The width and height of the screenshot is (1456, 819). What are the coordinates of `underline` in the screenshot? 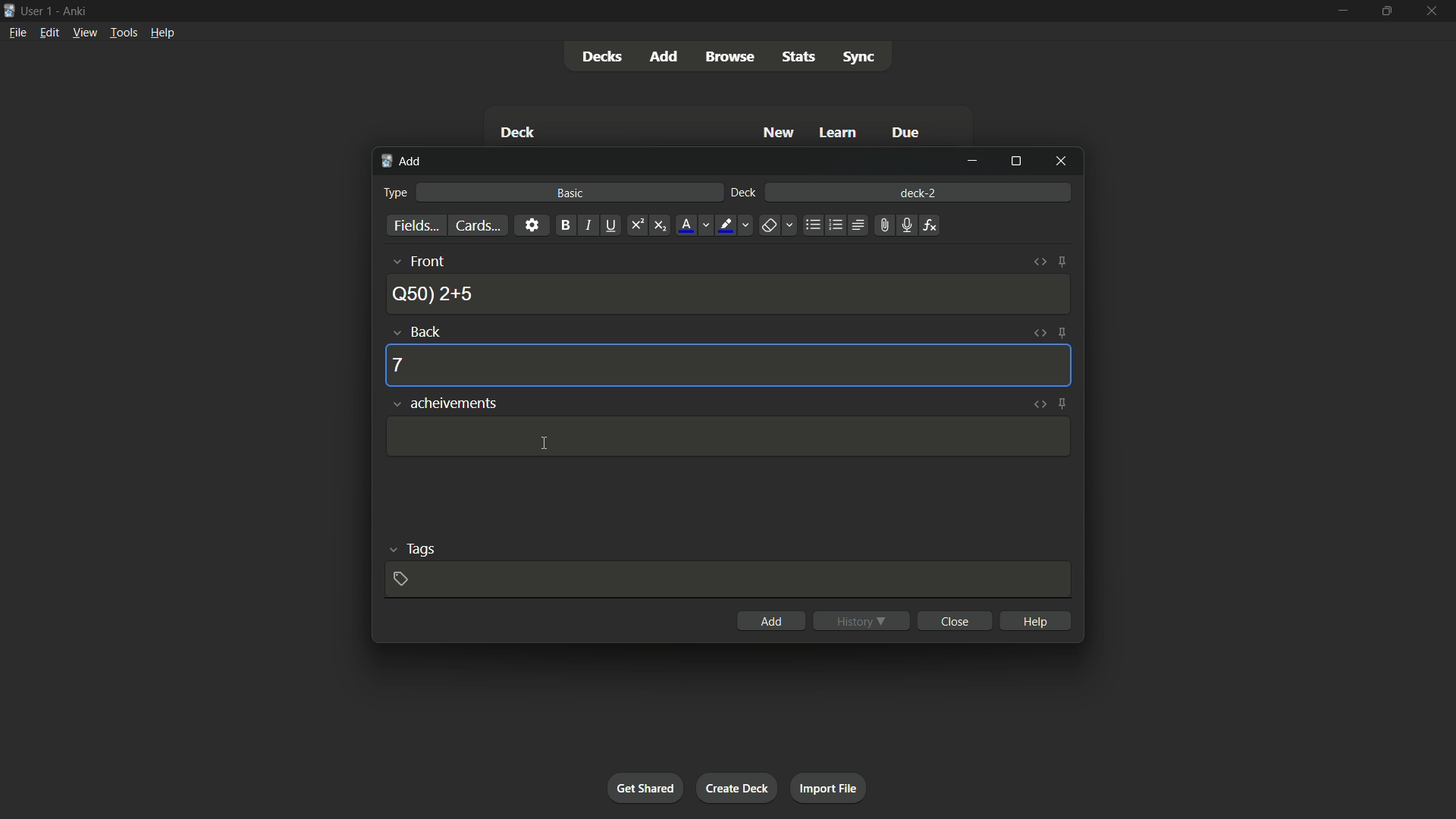 It's located at (611, 225).